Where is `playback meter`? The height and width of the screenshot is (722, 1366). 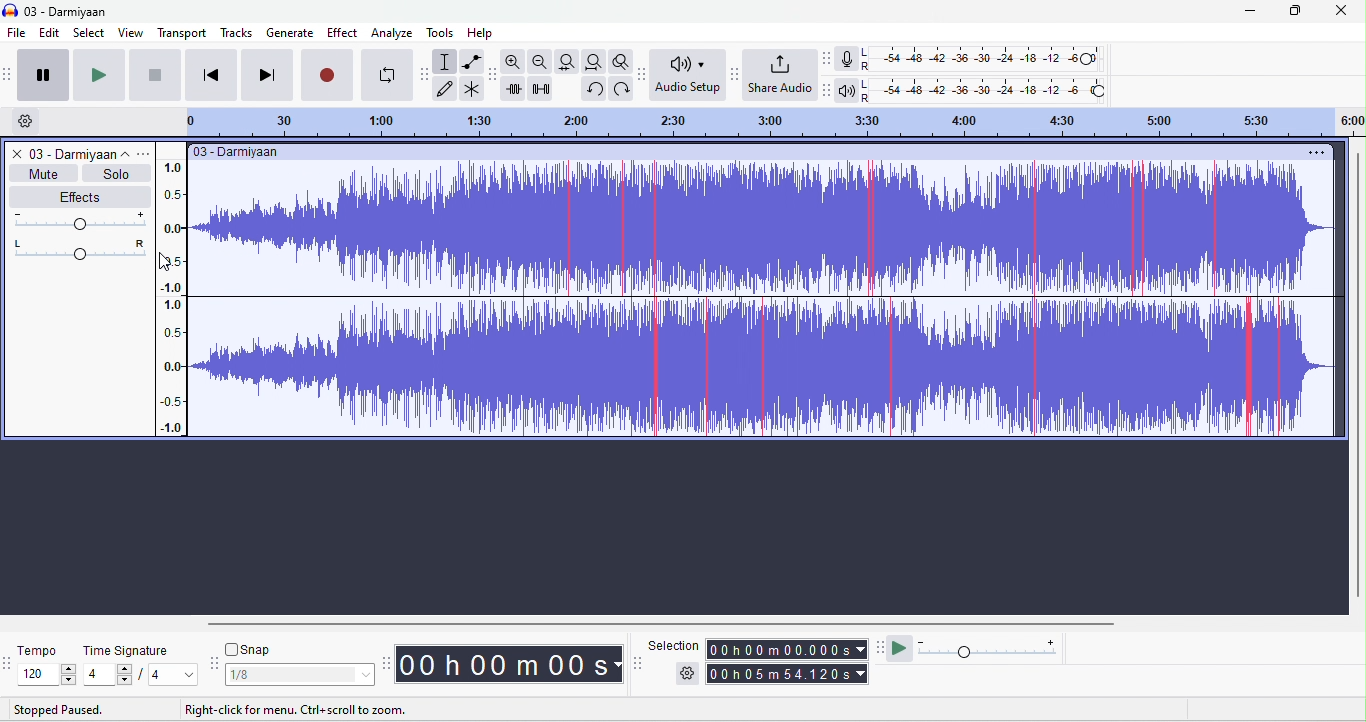
playback meter is located at coordinates (849, 91).